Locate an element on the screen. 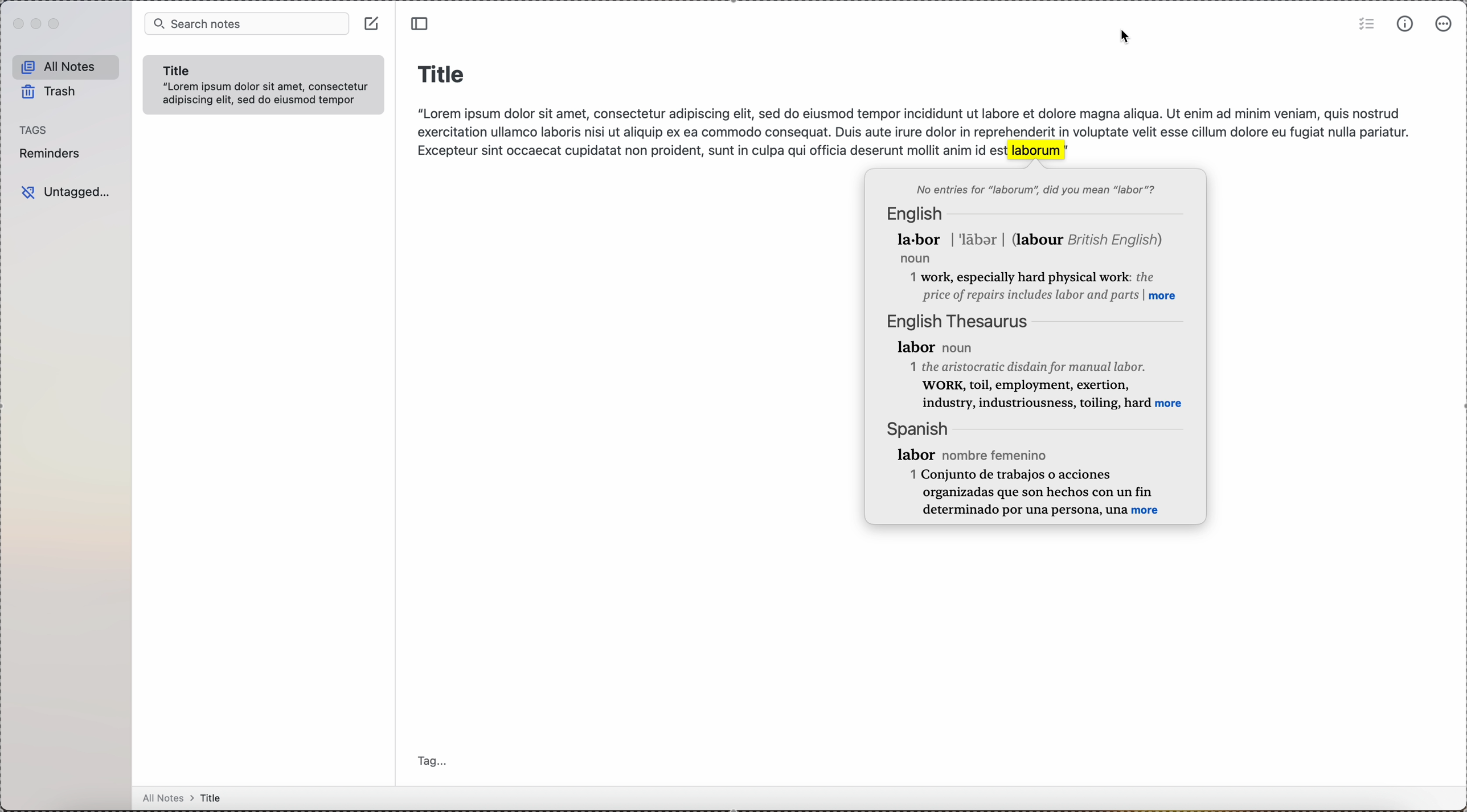 The width and height of the screenshot is (1467, 812). note is located at coordinates (266, 84).